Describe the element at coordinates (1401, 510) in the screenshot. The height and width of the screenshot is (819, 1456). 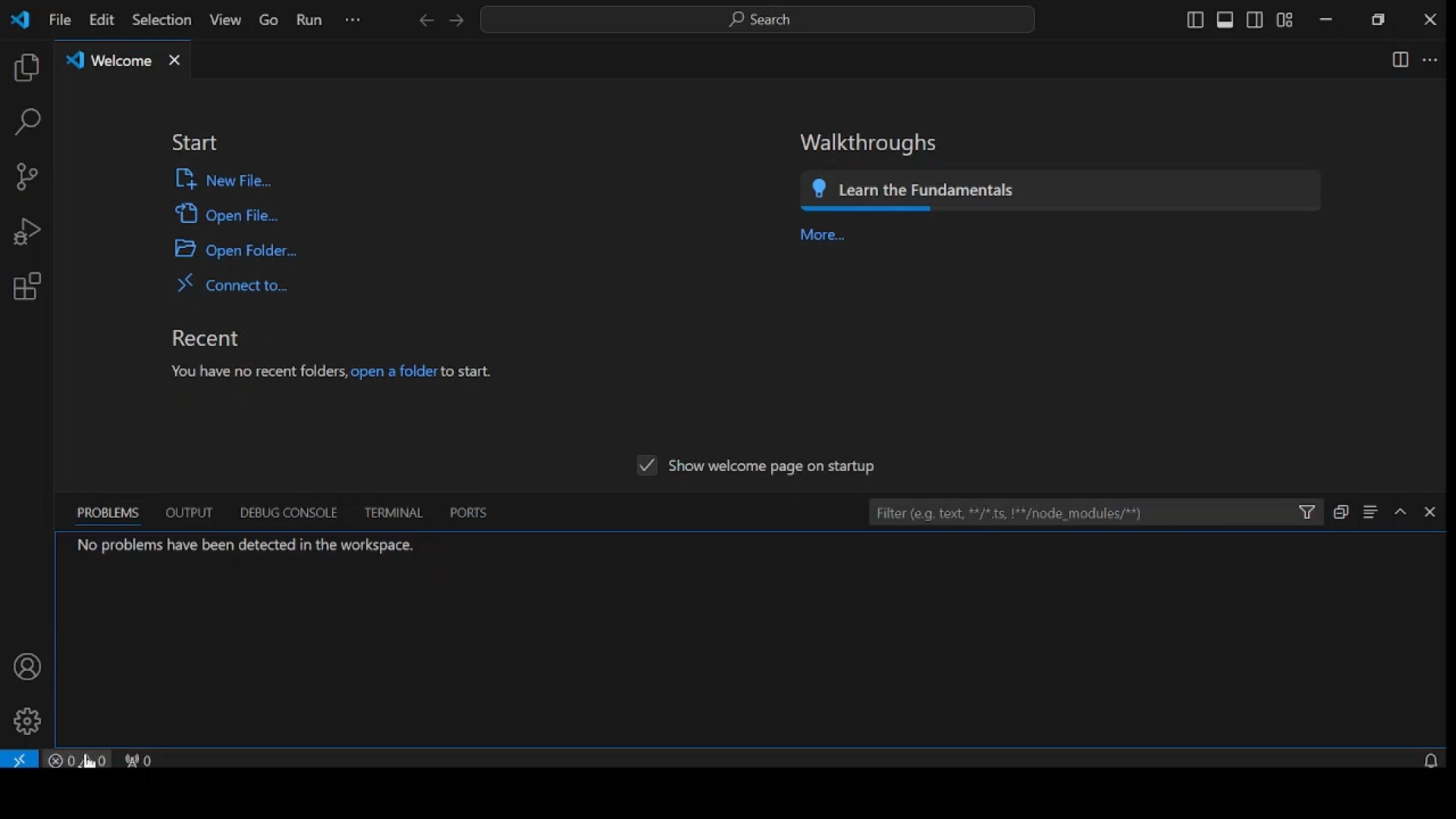
I see `maximize panel size` at that location.